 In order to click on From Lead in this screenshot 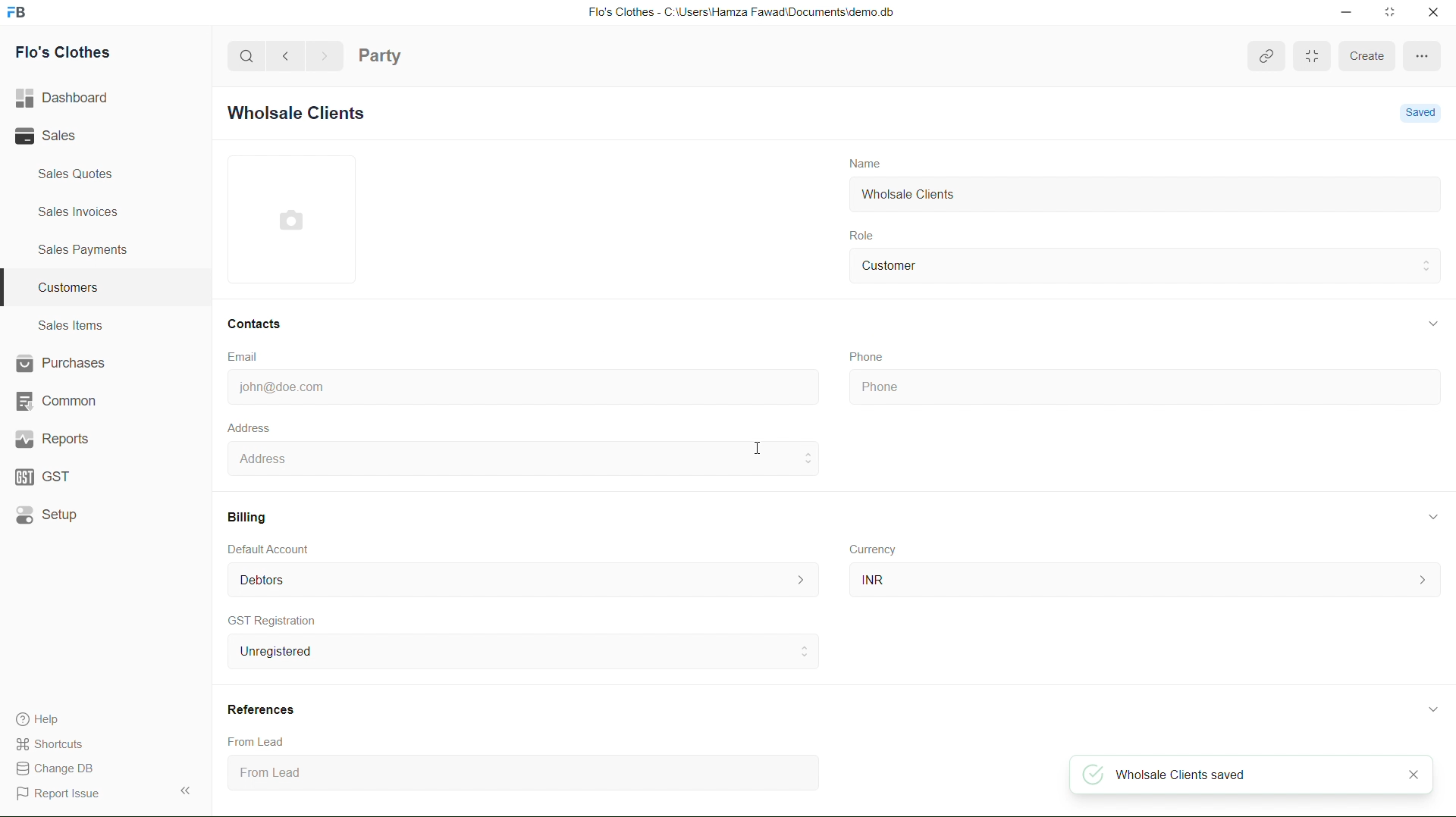, I will do `click(372, 775)`.